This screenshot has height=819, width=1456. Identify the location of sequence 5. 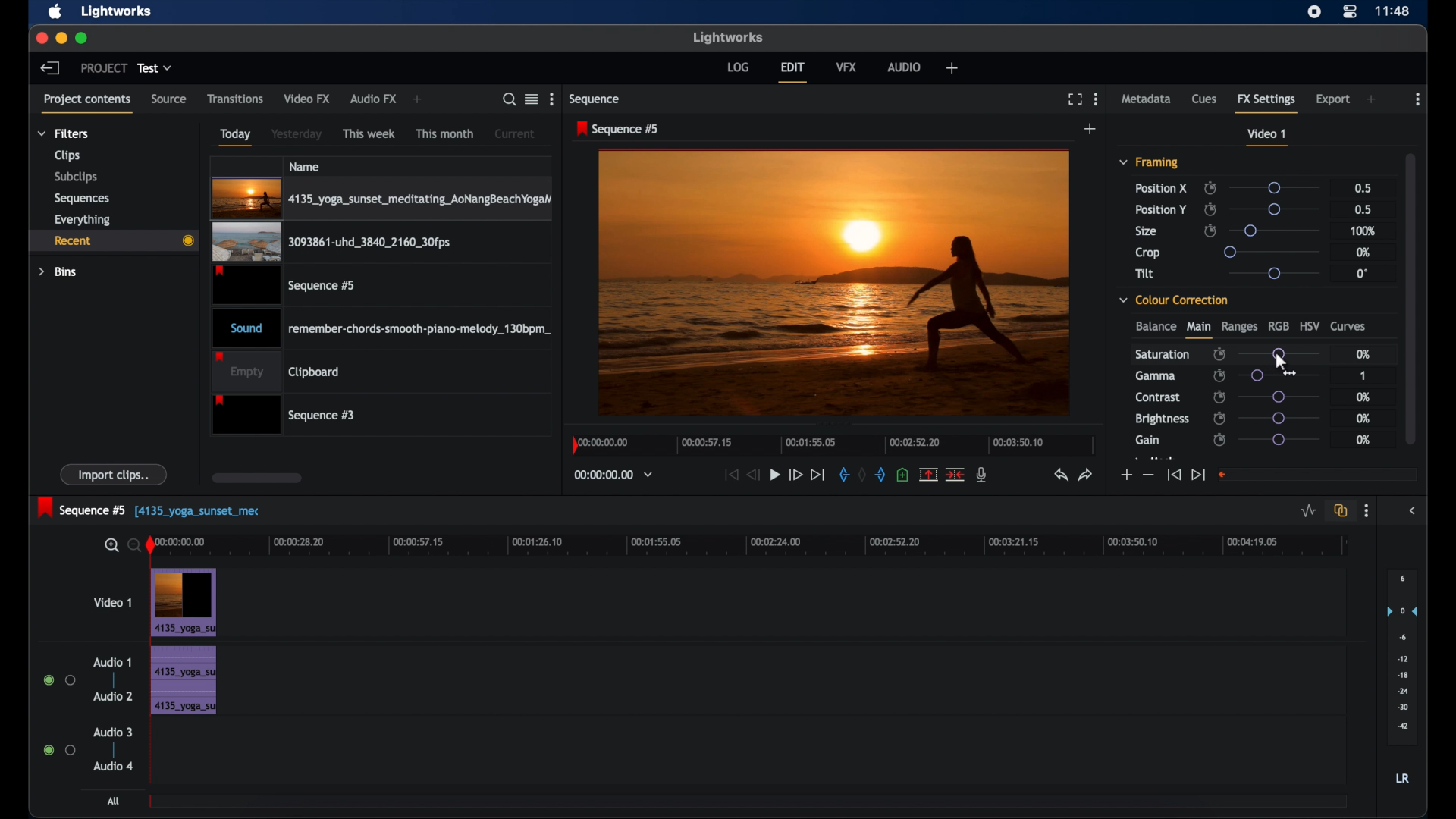
(83, 507).